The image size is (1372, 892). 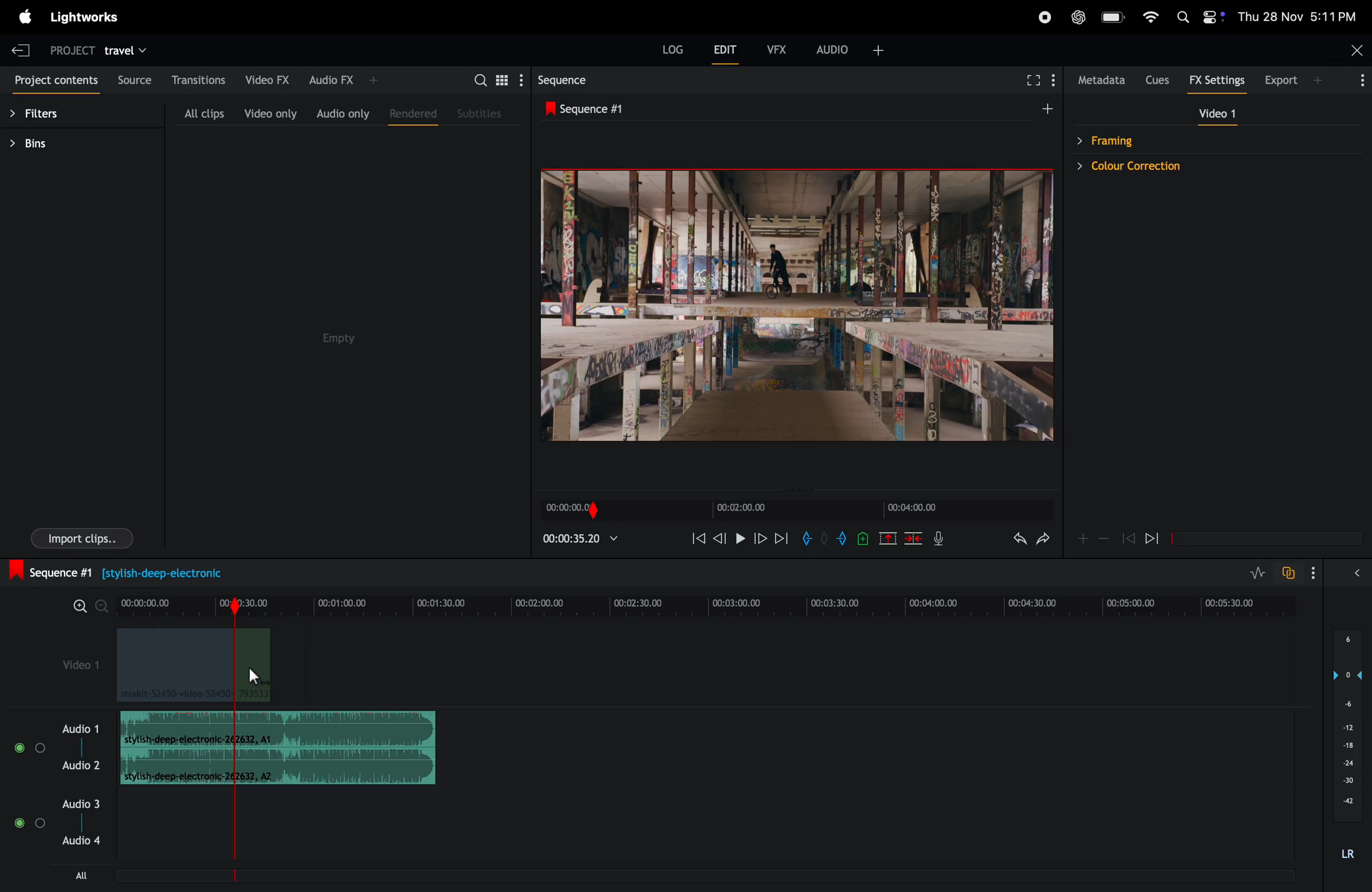 I want to click on add, so click(x=1039, y=112).